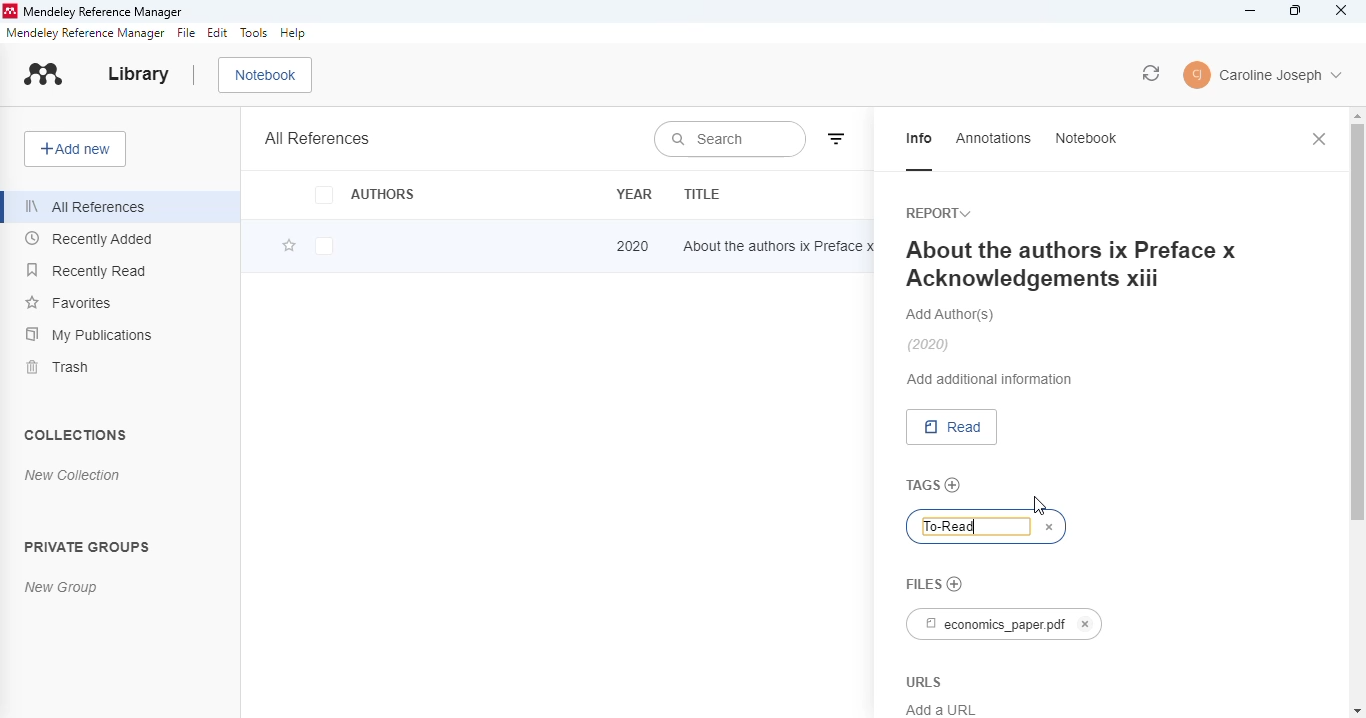  Describe the element at coordinates (85, 33) in the screenshot. I see `mendeley reference manager` at that location.